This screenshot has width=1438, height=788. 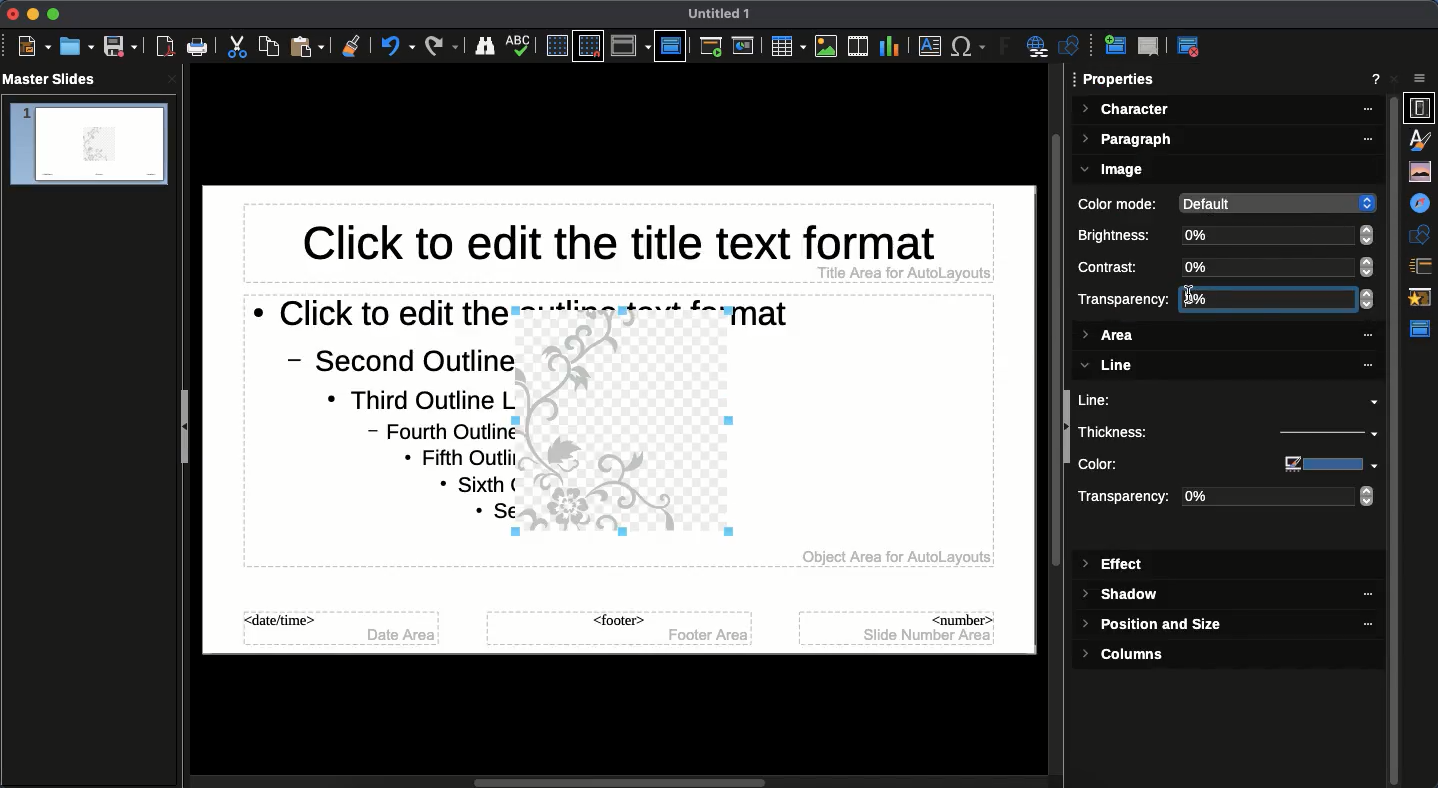 I want to click on Line, so click(x=1225, y=366).